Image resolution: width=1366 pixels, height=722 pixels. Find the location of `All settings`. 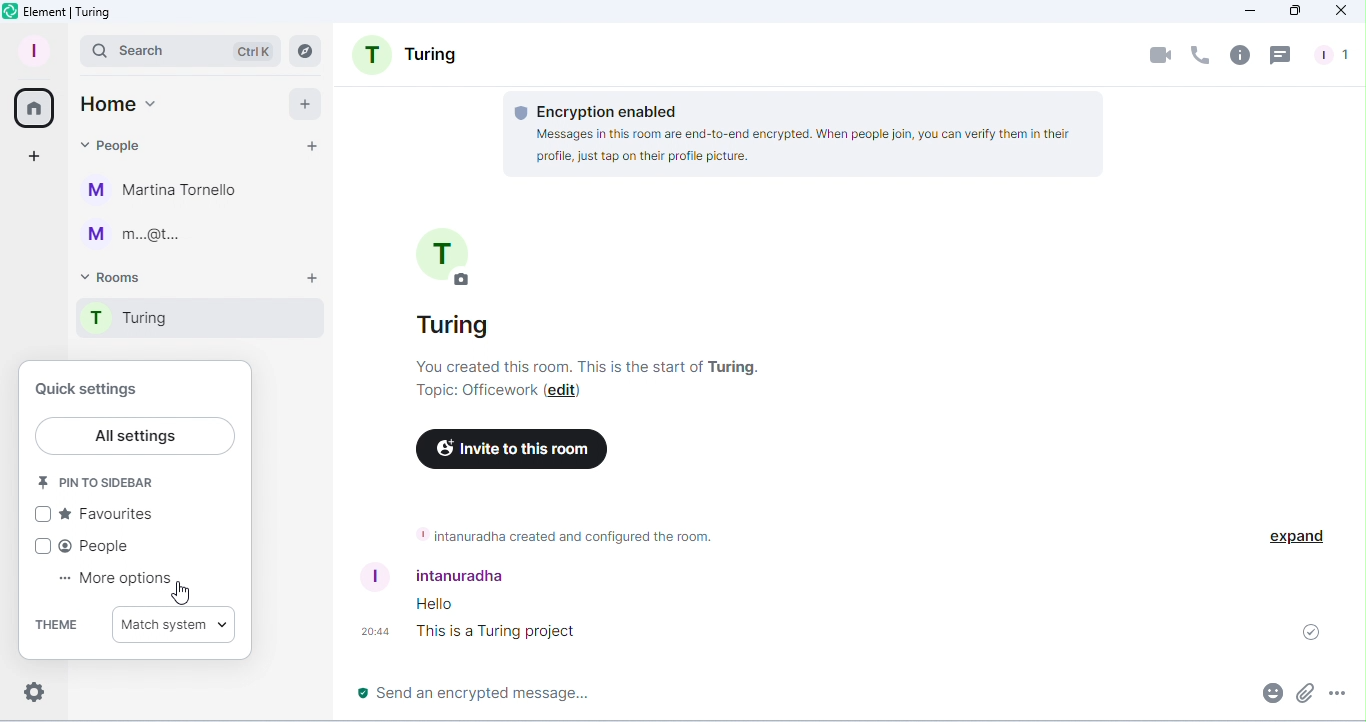

All settings is located at coordinates (138, 436).